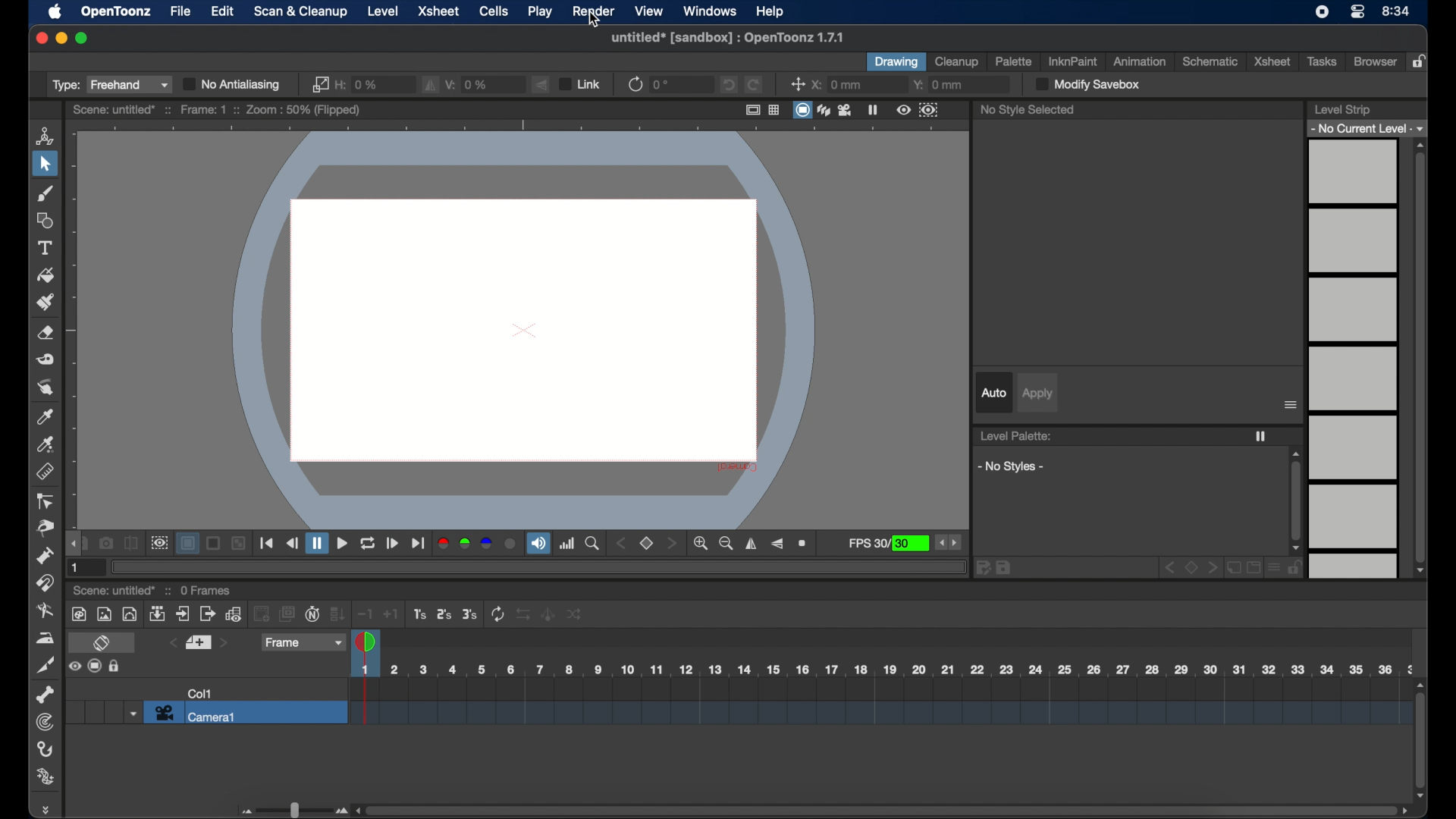 This screenshot has height=819, width=1456. Describe the element at coordinates (367, 641) in the screenshot. I see `playhead` at that location.